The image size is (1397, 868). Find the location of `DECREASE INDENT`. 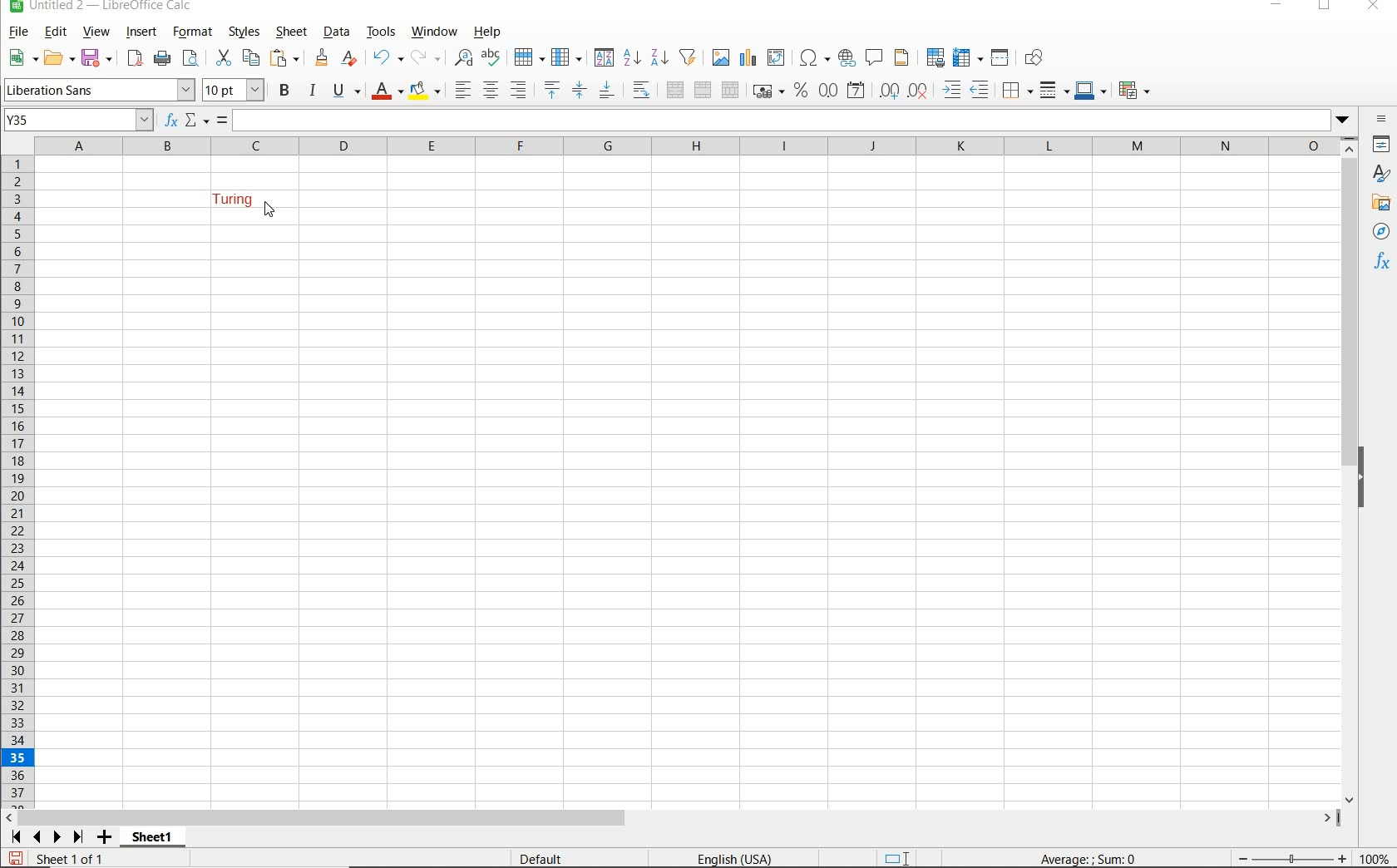

DECREASE INDENT is located at coordinates (980, 91).